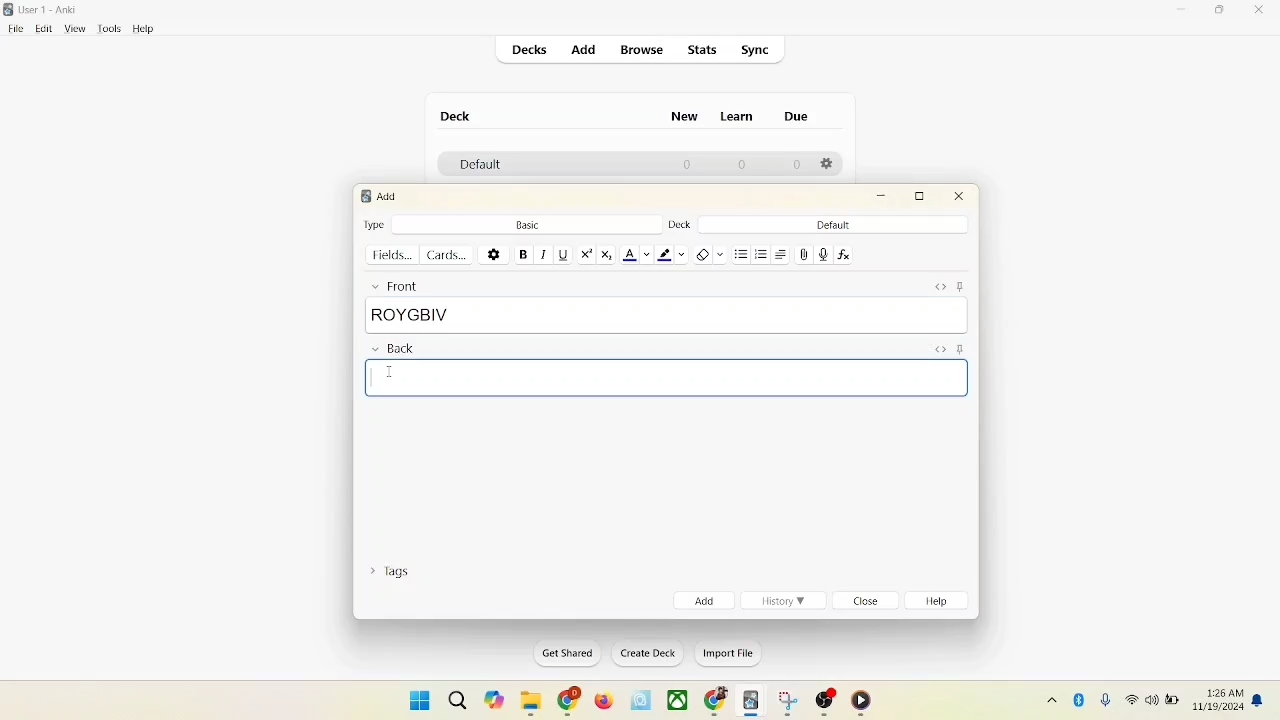 This screenshot has width=1280, height=720. I want to click on default, so click(833, 225).